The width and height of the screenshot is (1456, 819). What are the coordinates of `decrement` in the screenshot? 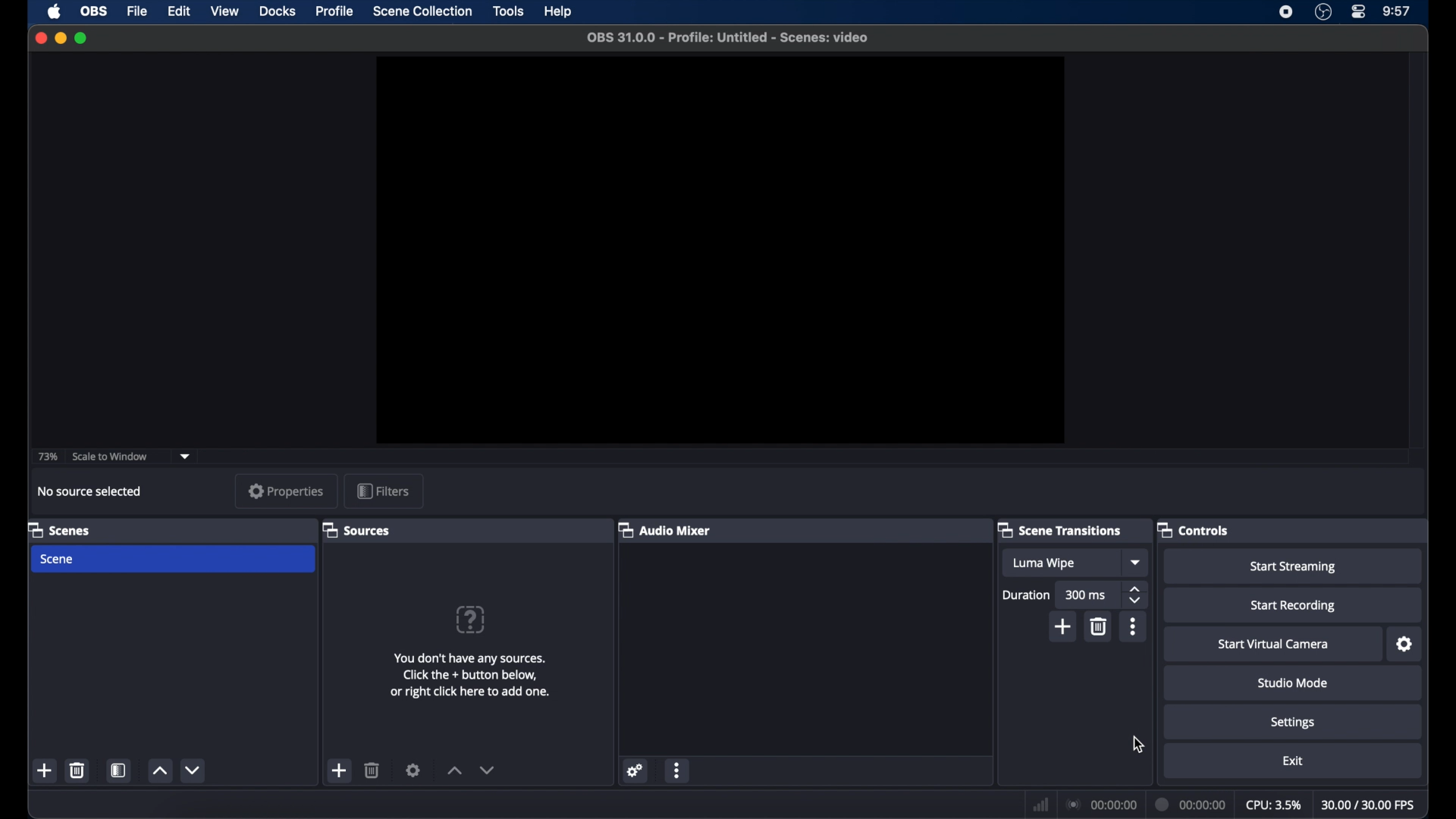 It's located at (487, 770).